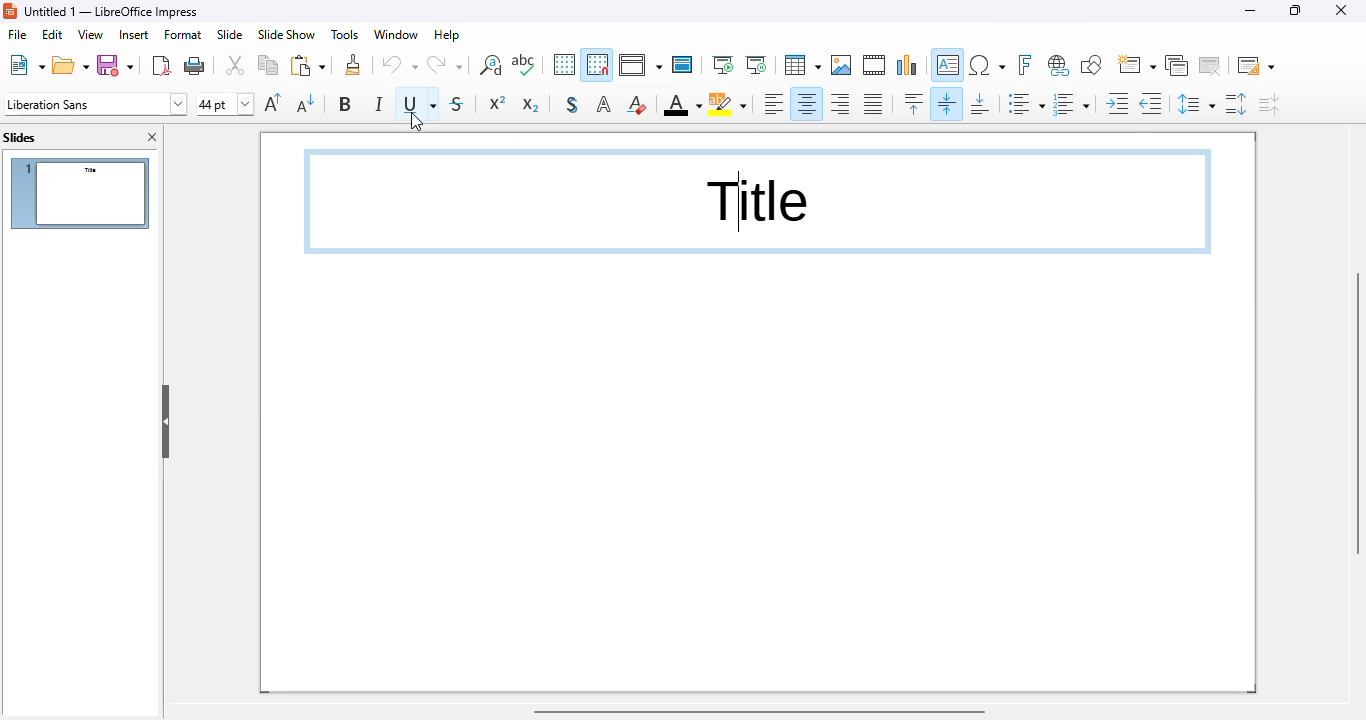 The height and width of the screenshot is (720, 1366). I want to click on new, so click(25, 65).